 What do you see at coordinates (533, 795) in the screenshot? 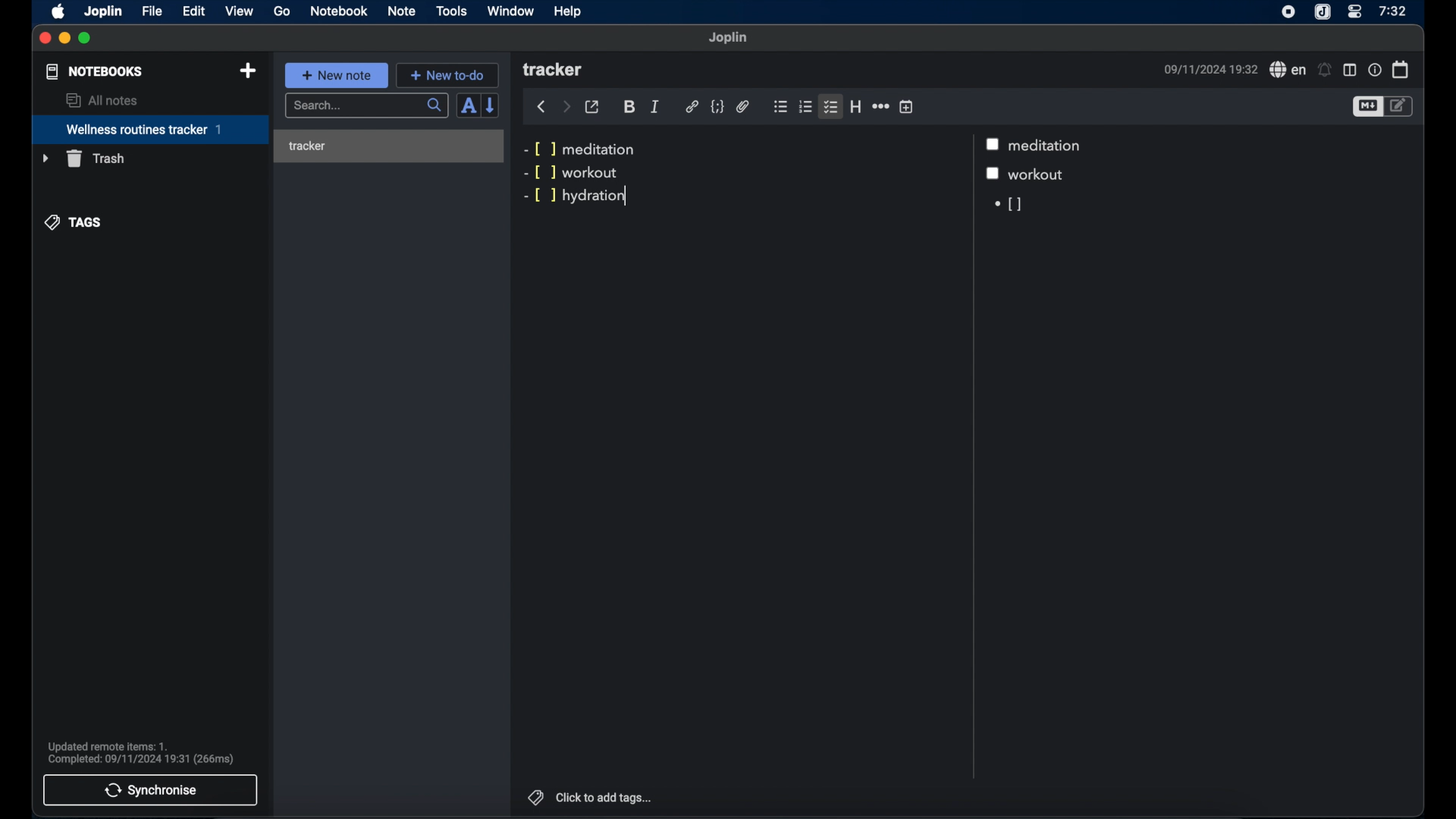
I see `tags` at bounding box center [533, 795].